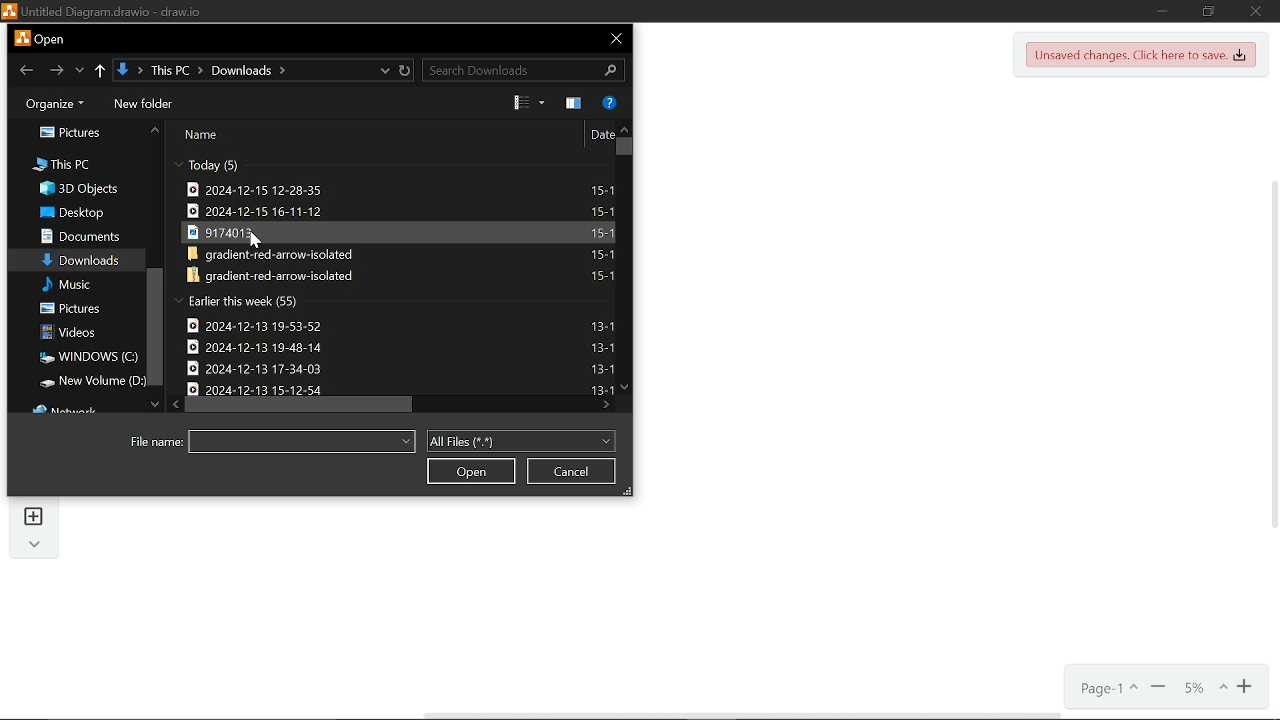 This screenshot has height=720, width=1280. What do you see at coordinates (110, 11) in the screenshot?
I see `current window` at bounding box center [110, 11].